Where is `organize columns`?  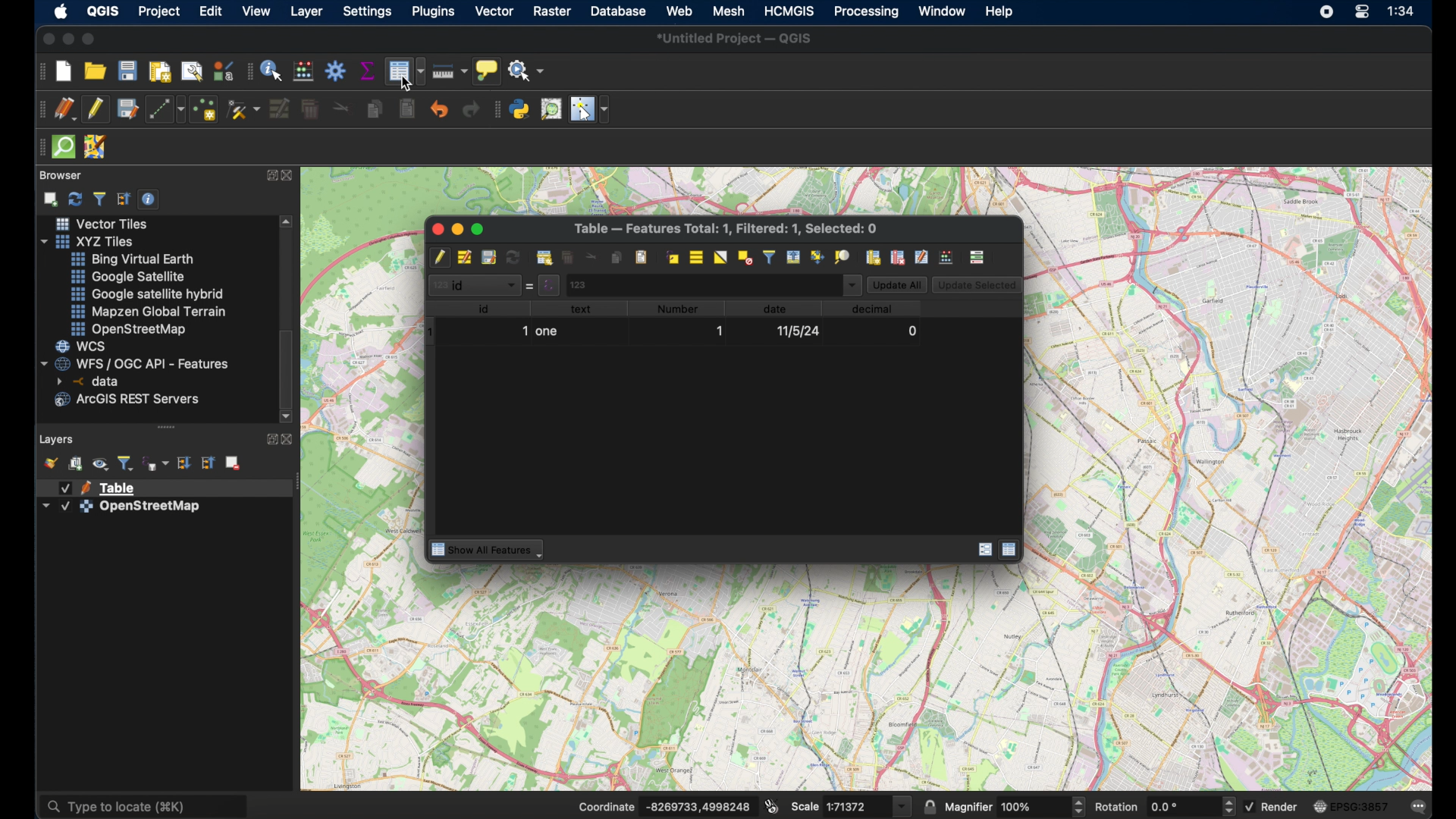
organize columns is located at coordinates (921, 256).